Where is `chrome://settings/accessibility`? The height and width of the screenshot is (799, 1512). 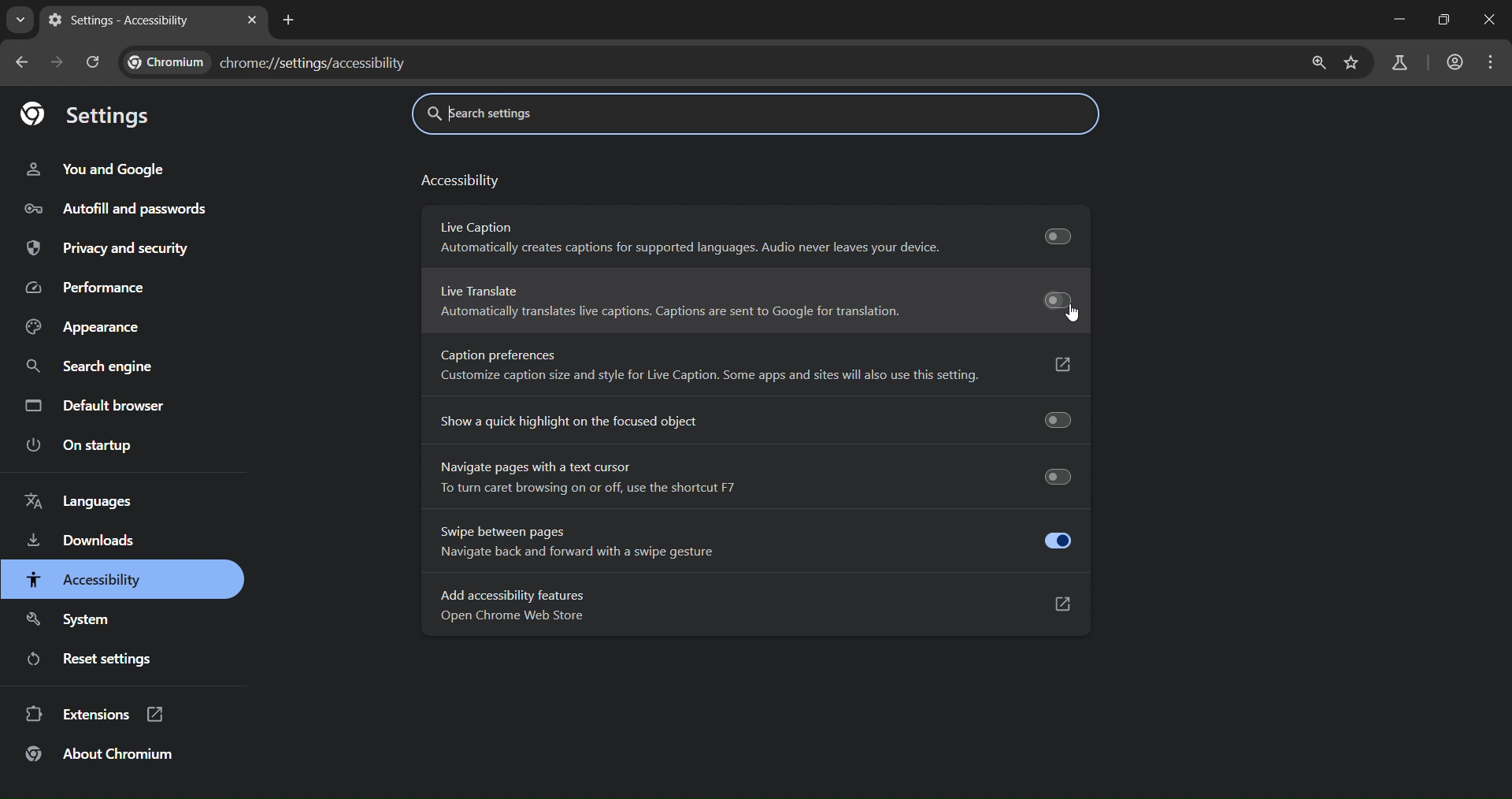 chrome://settings/accessibility is located at coordinates (316, 61).